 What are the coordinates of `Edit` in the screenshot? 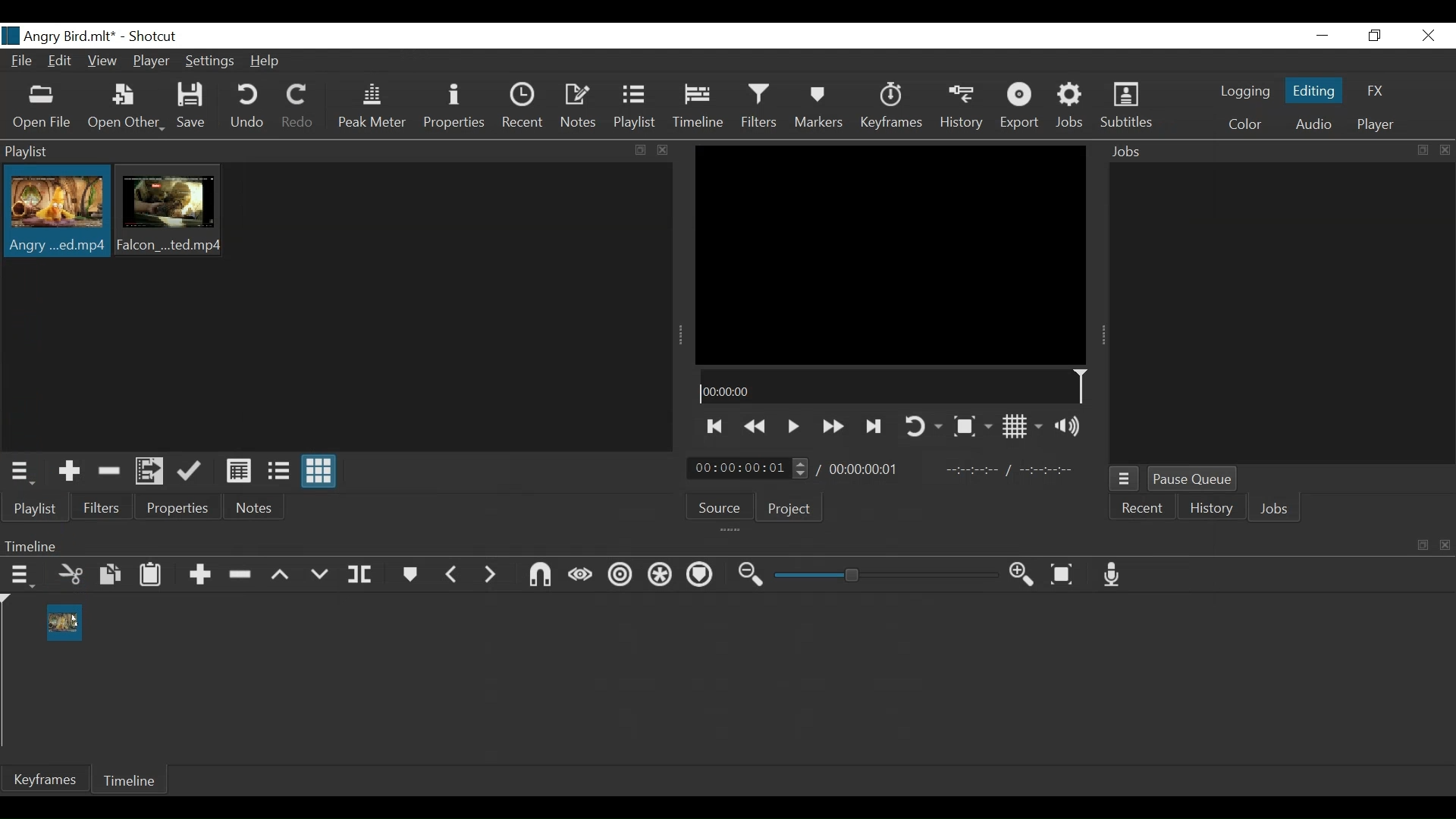 It's located at (62, 62).